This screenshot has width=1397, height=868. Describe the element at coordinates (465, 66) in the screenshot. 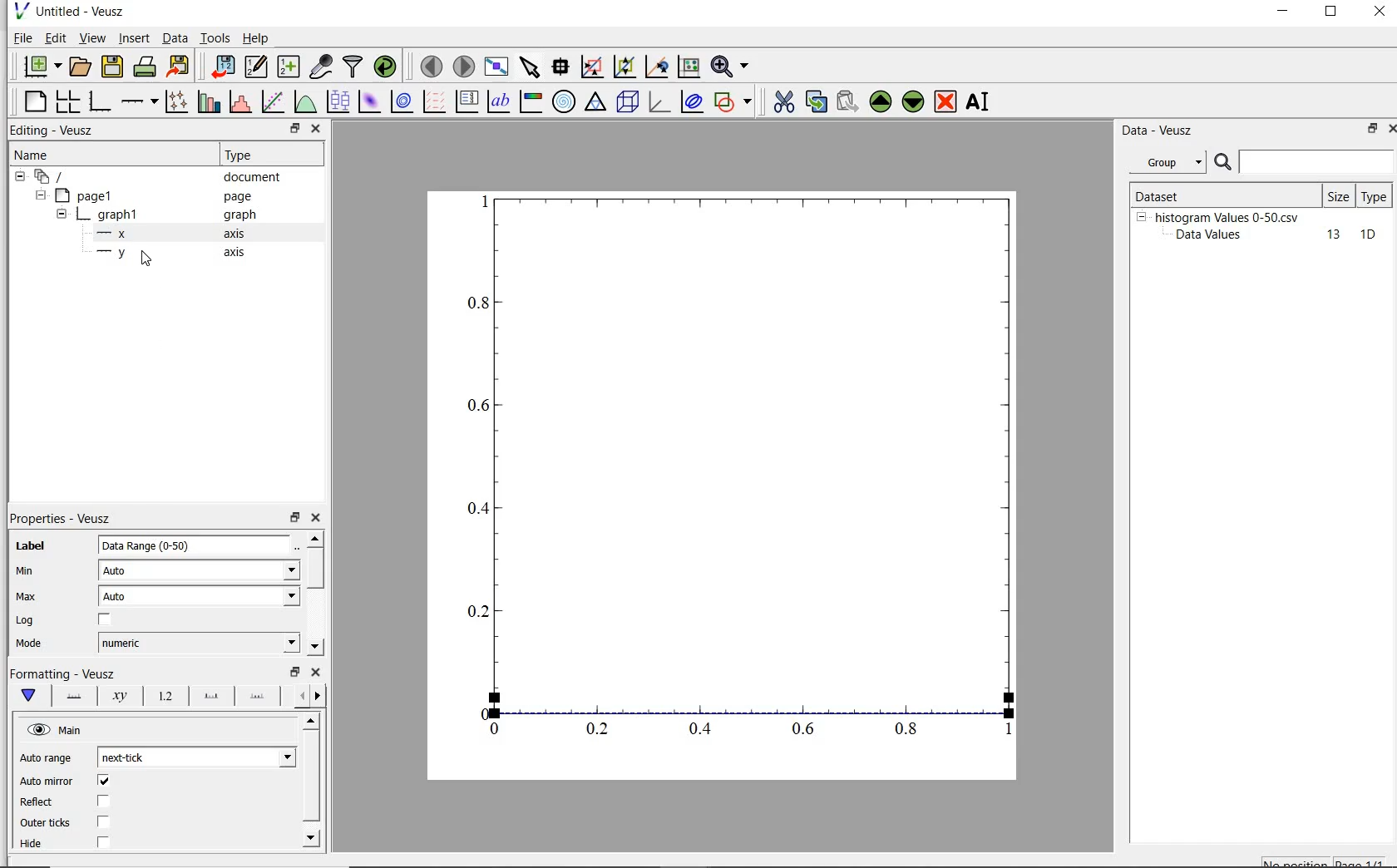

I see `move to next page` at that location.